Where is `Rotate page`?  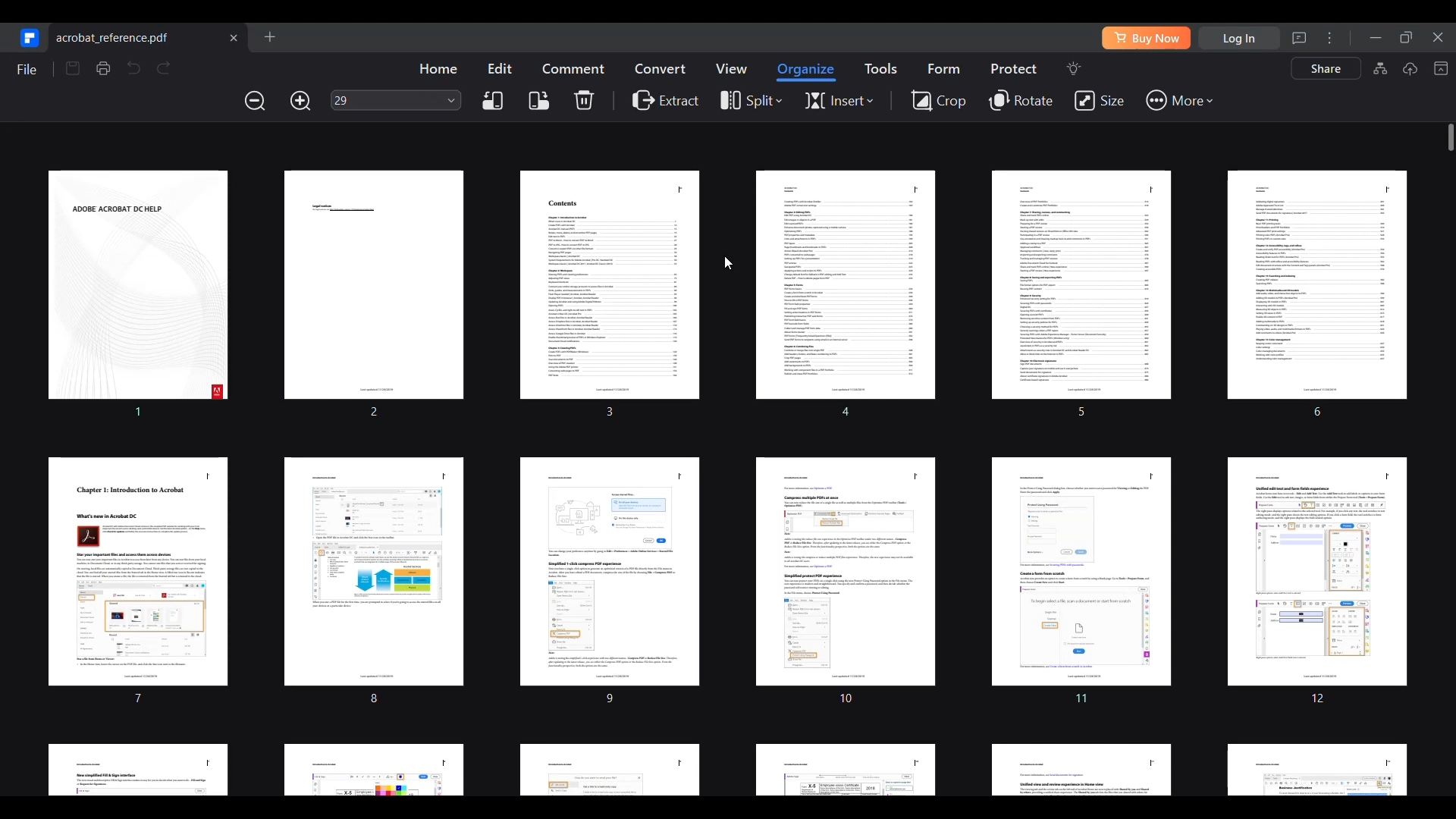 Rotate page is located at coordinates (1022, 101).